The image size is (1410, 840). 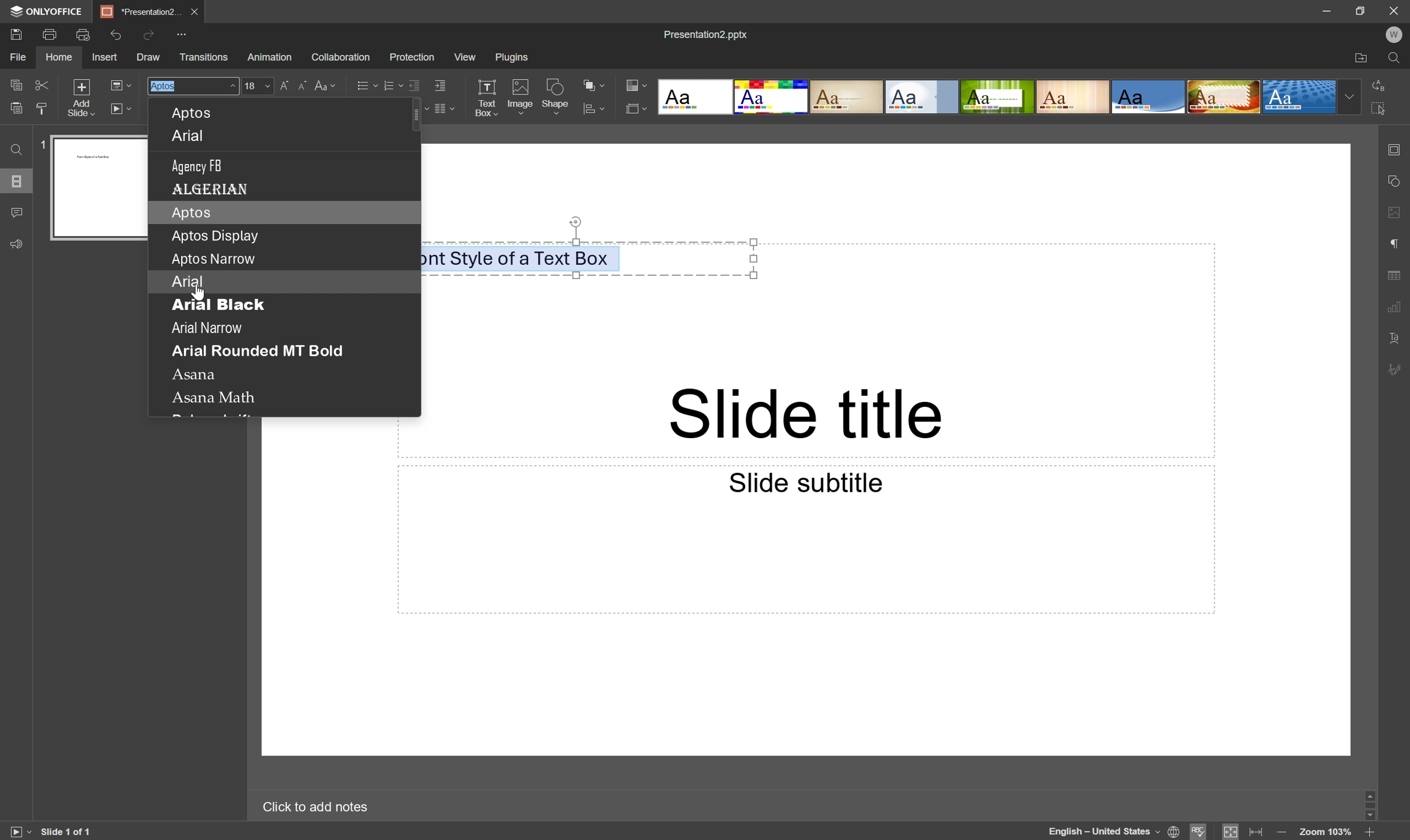 I want to click on Set document language, so click(x=1175, y=832).